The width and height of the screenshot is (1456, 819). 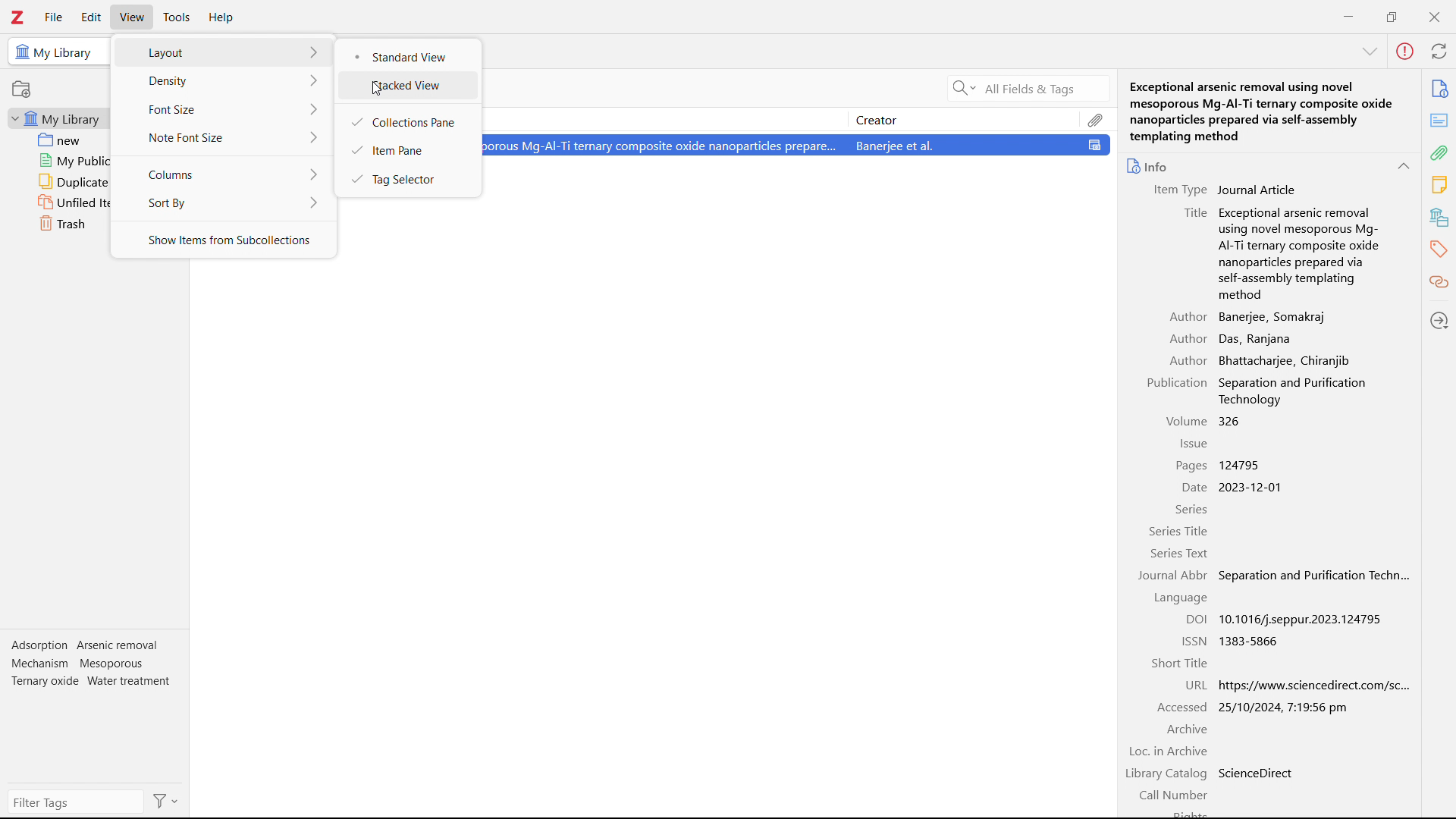 I want to click on Adsorption Arsenic removal, so click(x=87, y=645).